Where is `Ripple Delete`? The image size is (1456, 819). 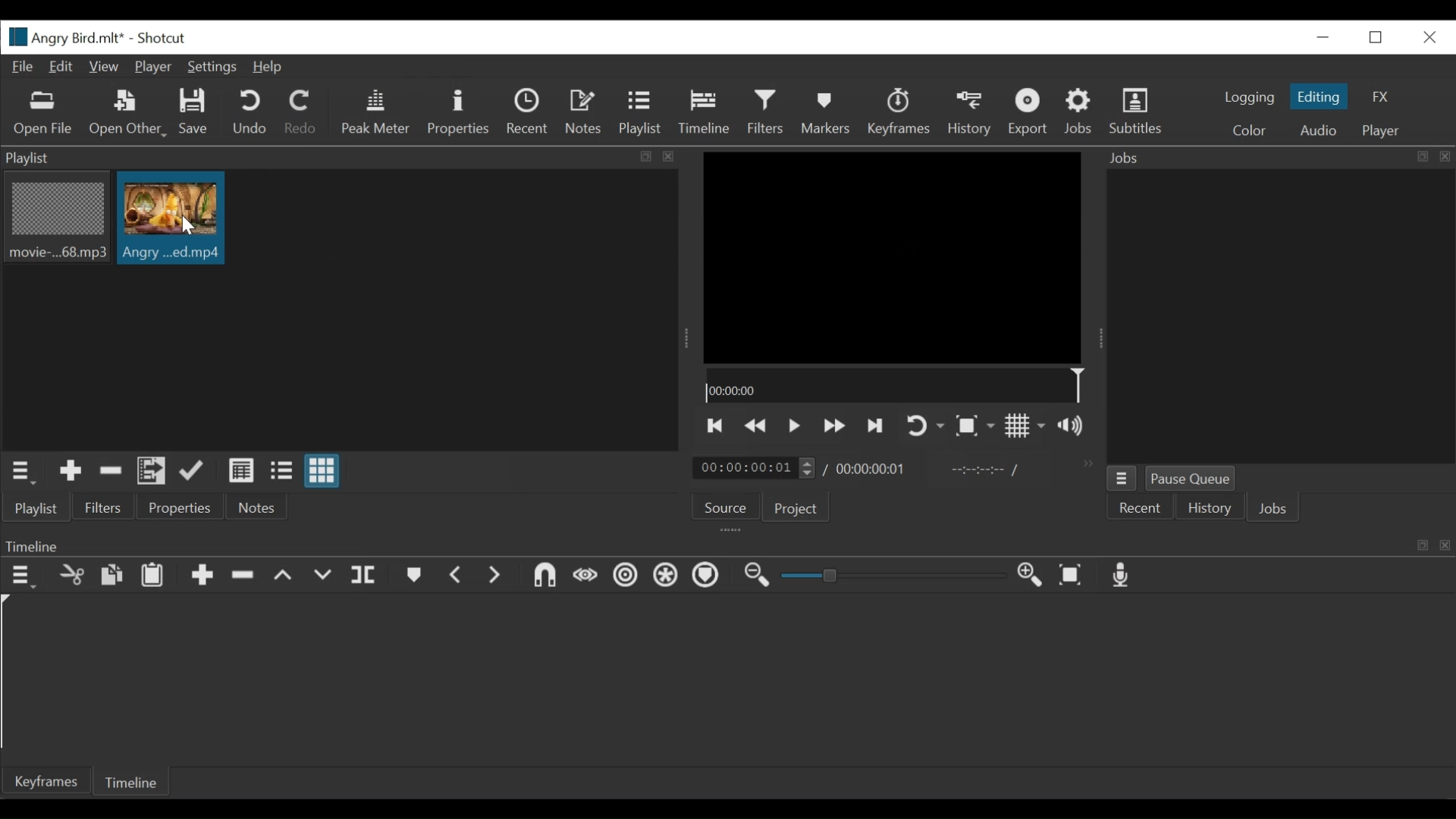
Ripple Delete is located at coordinates (243, 576).